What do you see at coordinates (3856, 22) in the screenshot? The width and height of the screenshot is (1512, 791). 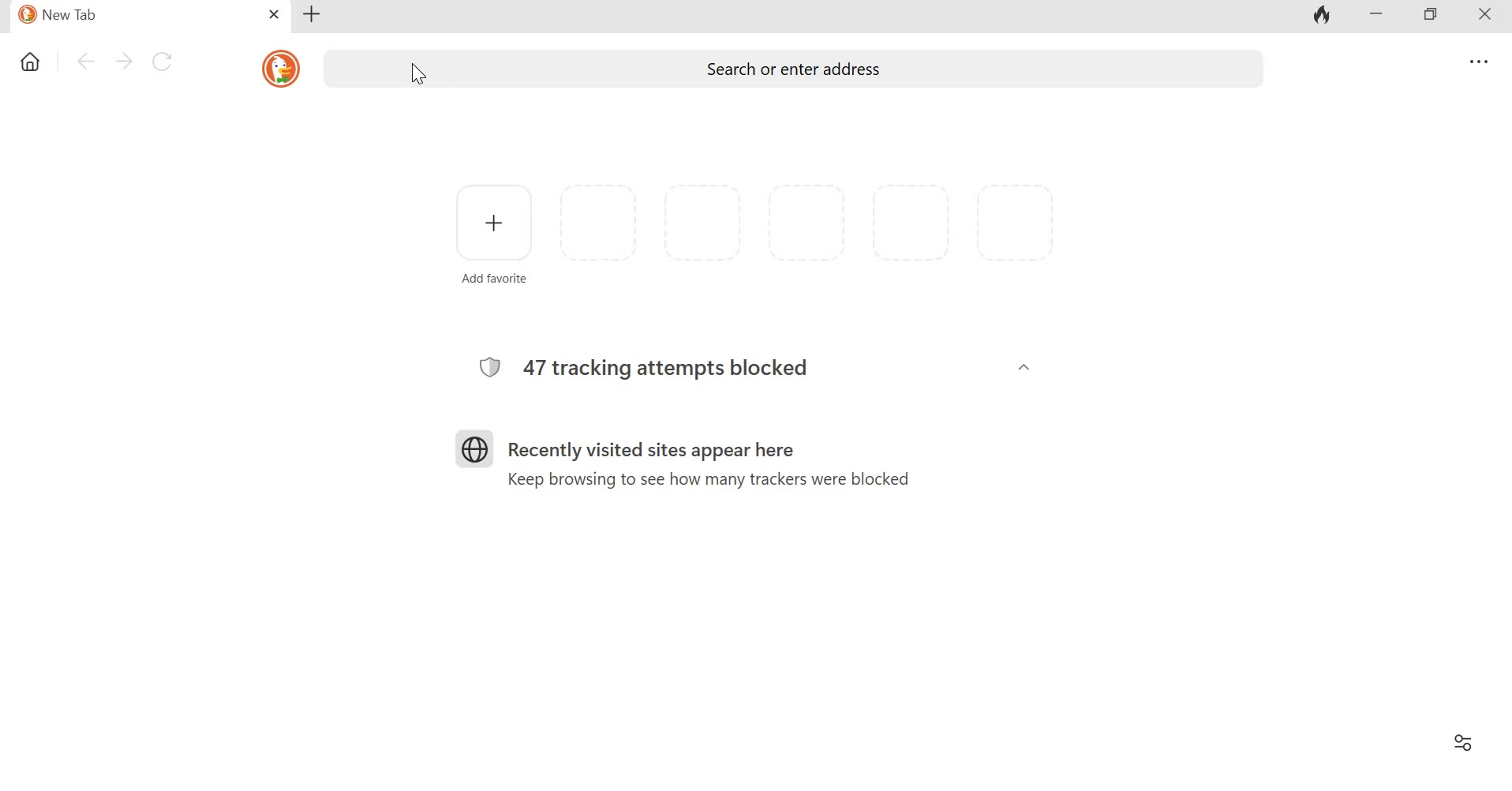 I see `` at bounding box center [3856, 22].